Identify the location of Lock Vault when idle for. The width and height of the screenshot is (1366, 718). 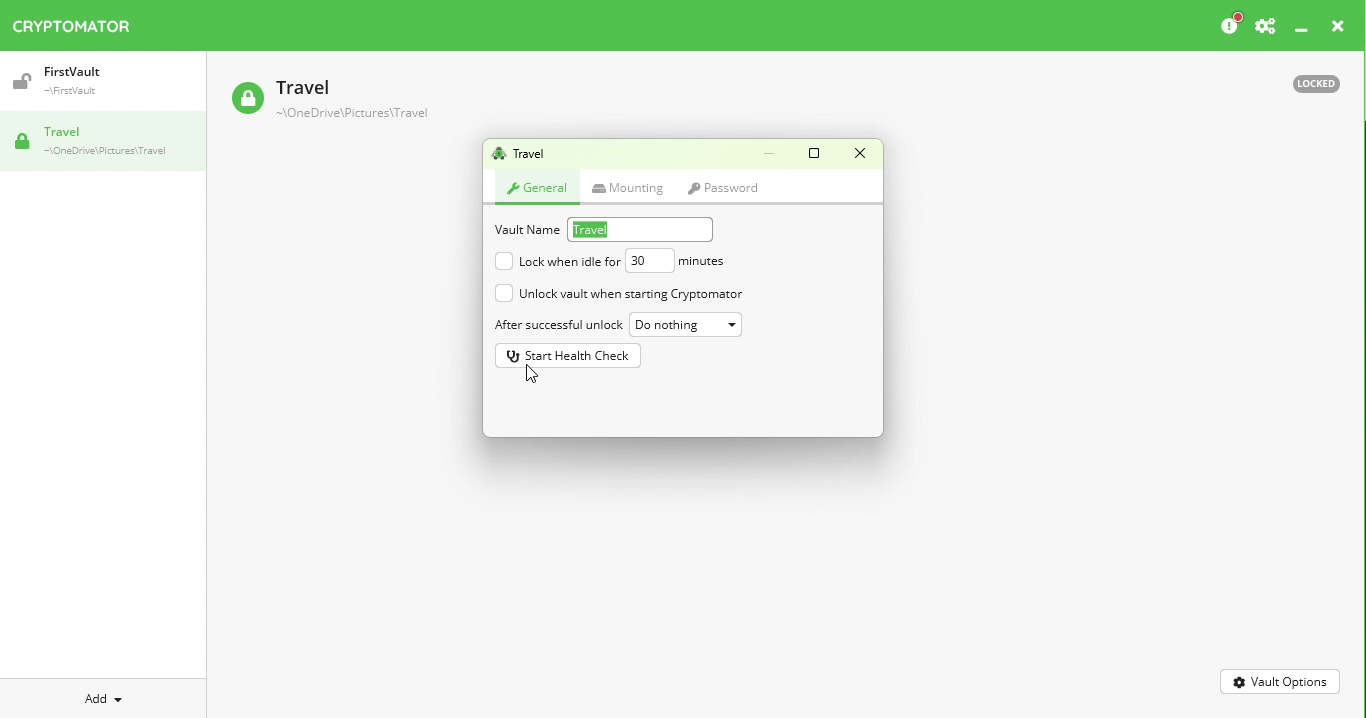
(568, 262).